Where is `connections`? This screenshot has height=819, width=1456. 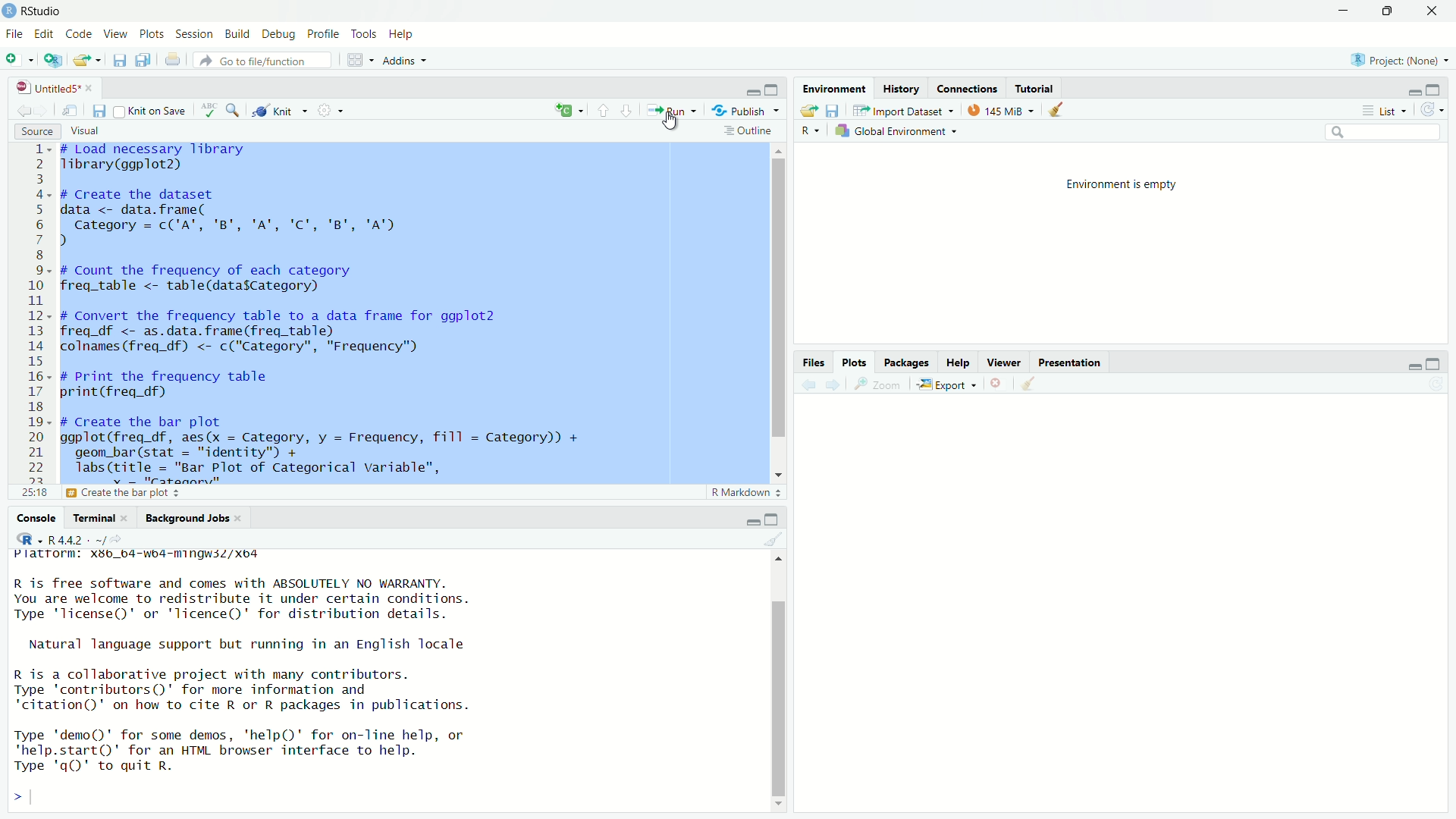
connections is located at coordinates (968, 89).